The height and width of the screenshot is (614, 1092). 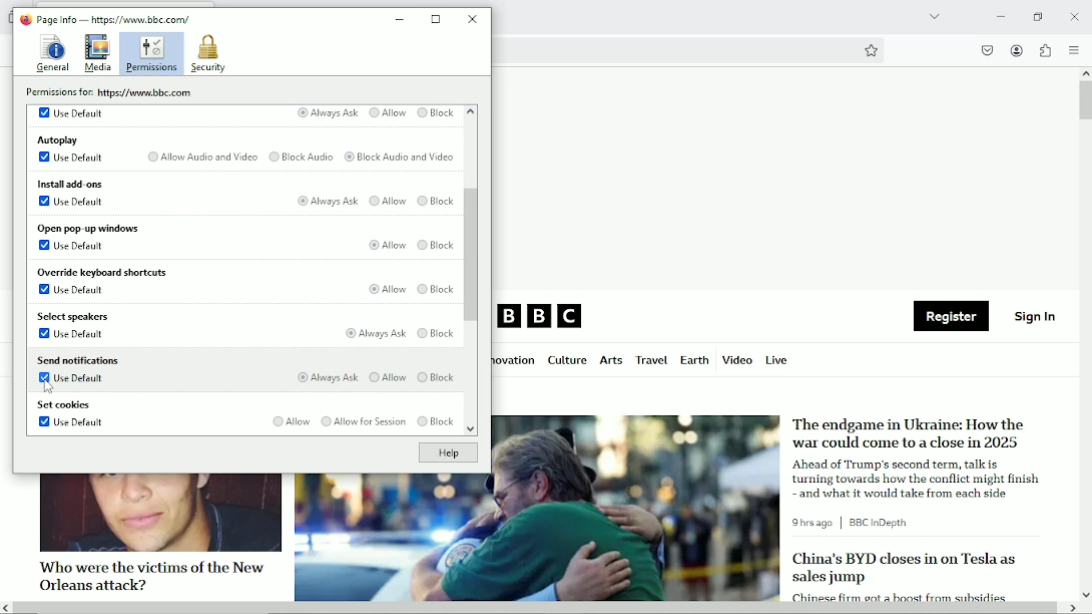 I want to click on Allow audio and video, so click(x=200, y=157).